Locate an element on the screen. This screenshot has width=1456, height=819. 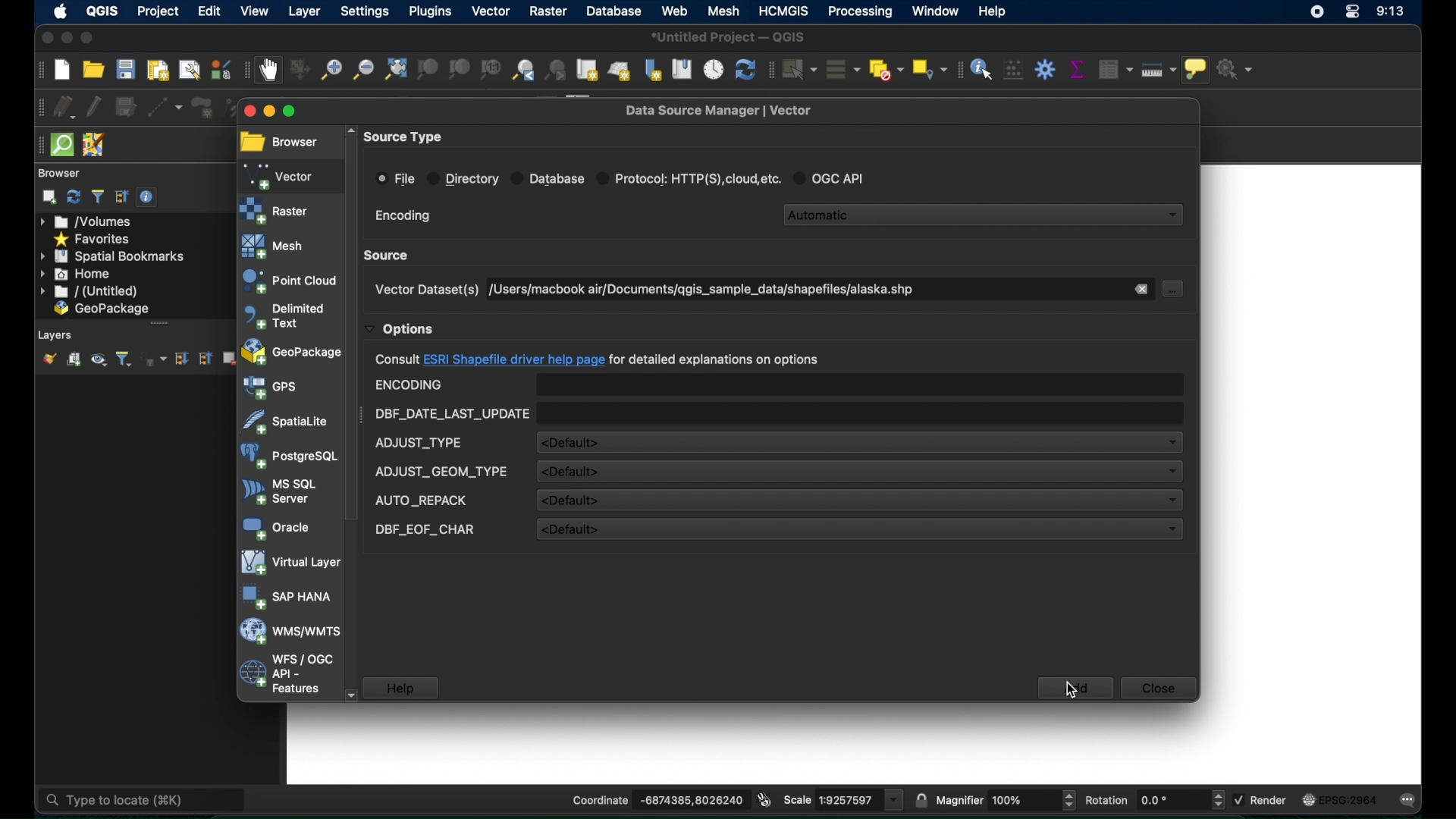
spatial bookmarks is located at coordinates (113, 256).